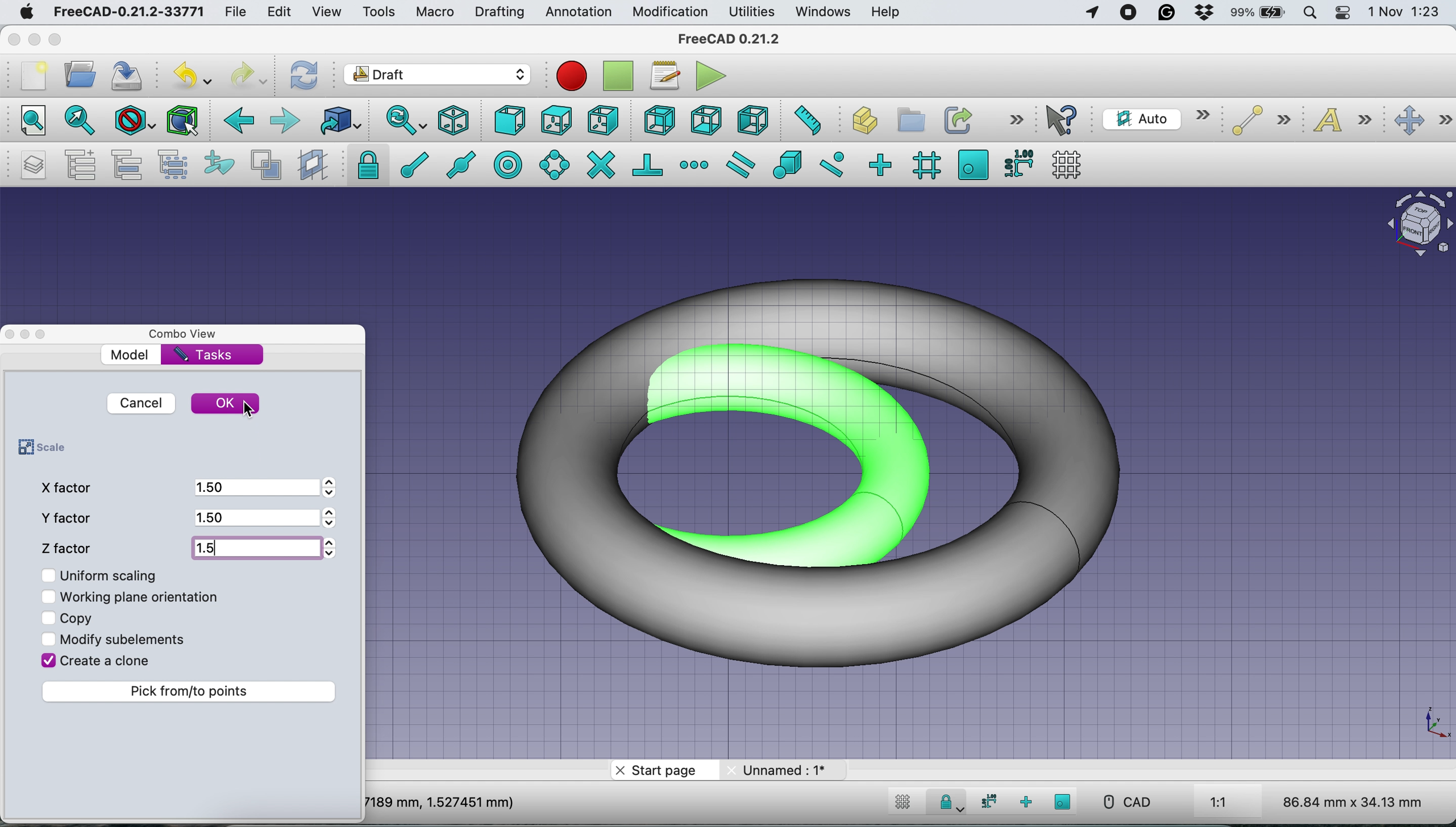  I want to click on Scale, so click(1434, 724).